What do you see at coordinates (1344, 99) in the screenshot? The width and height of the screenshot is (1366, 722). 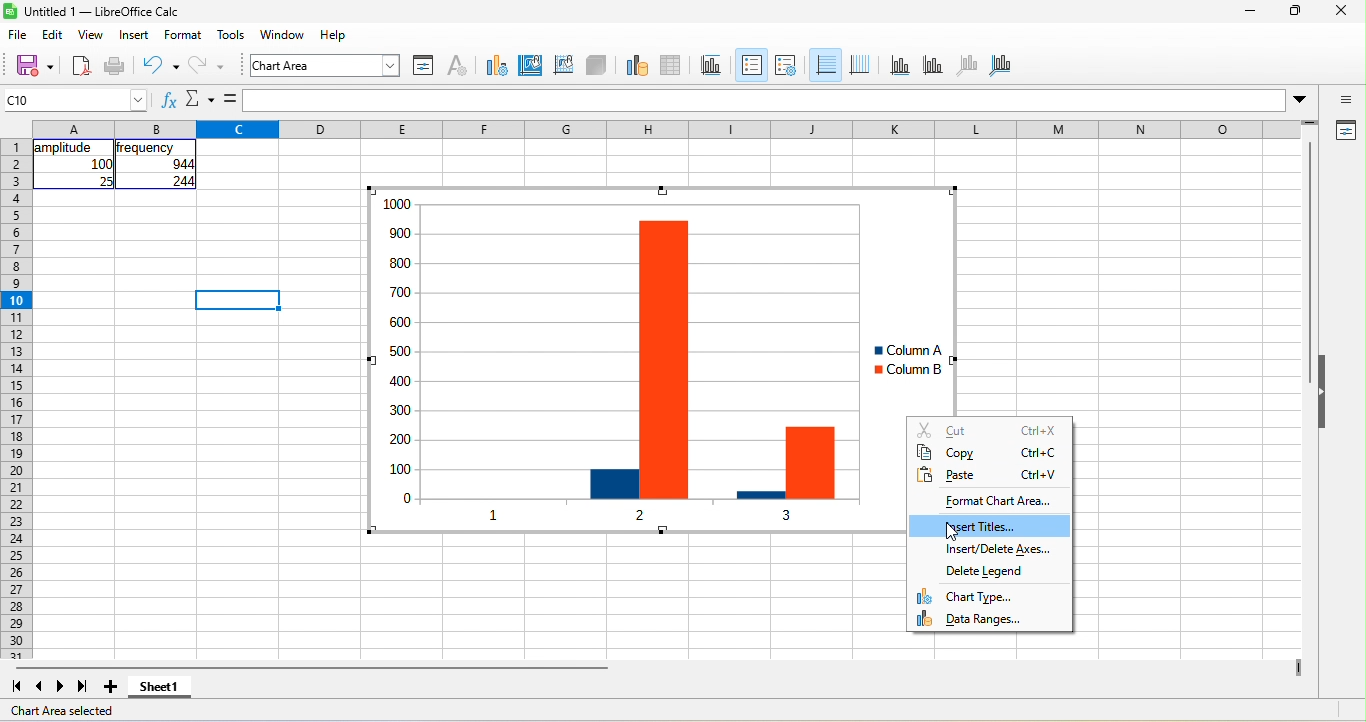 I see `sidebar settings` at bounding box center [1344, 99].